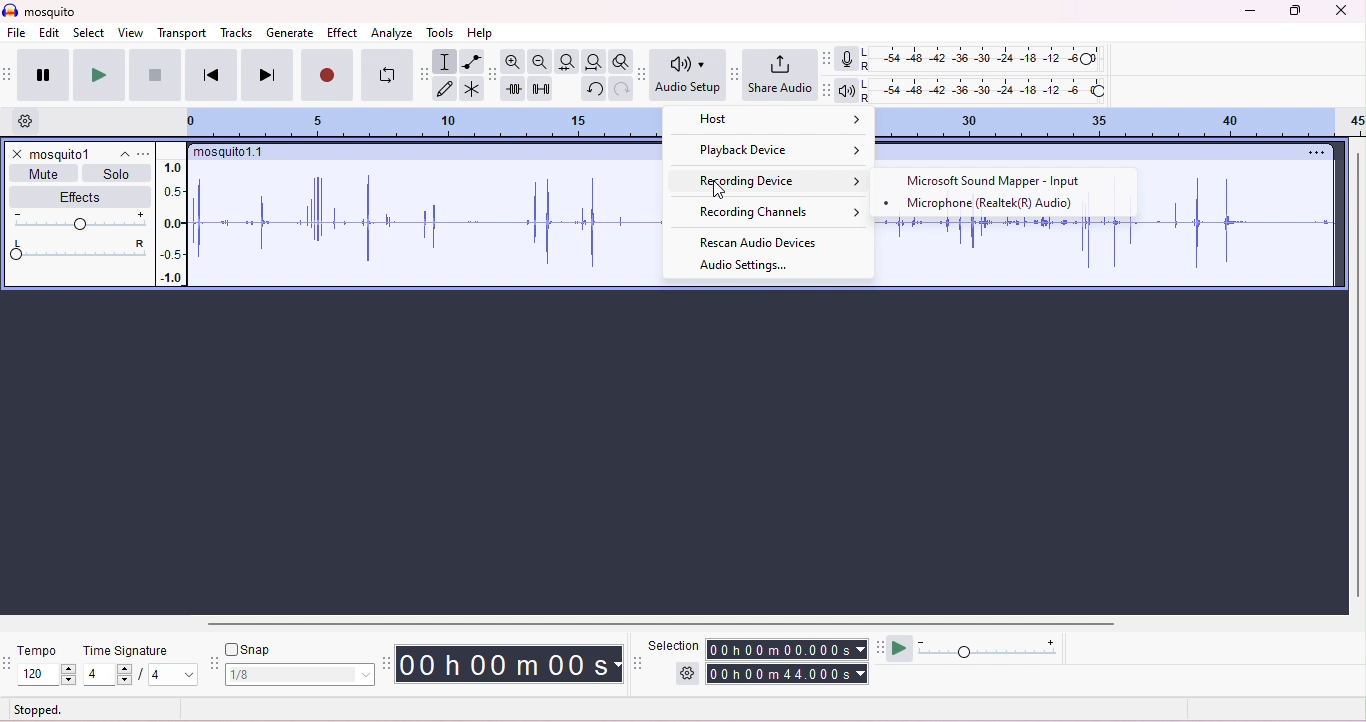 Image resolution: width=1366 pixels, height=722 pixels. I want to click on microphone (realtek(R) Audio), so click(984, 204).